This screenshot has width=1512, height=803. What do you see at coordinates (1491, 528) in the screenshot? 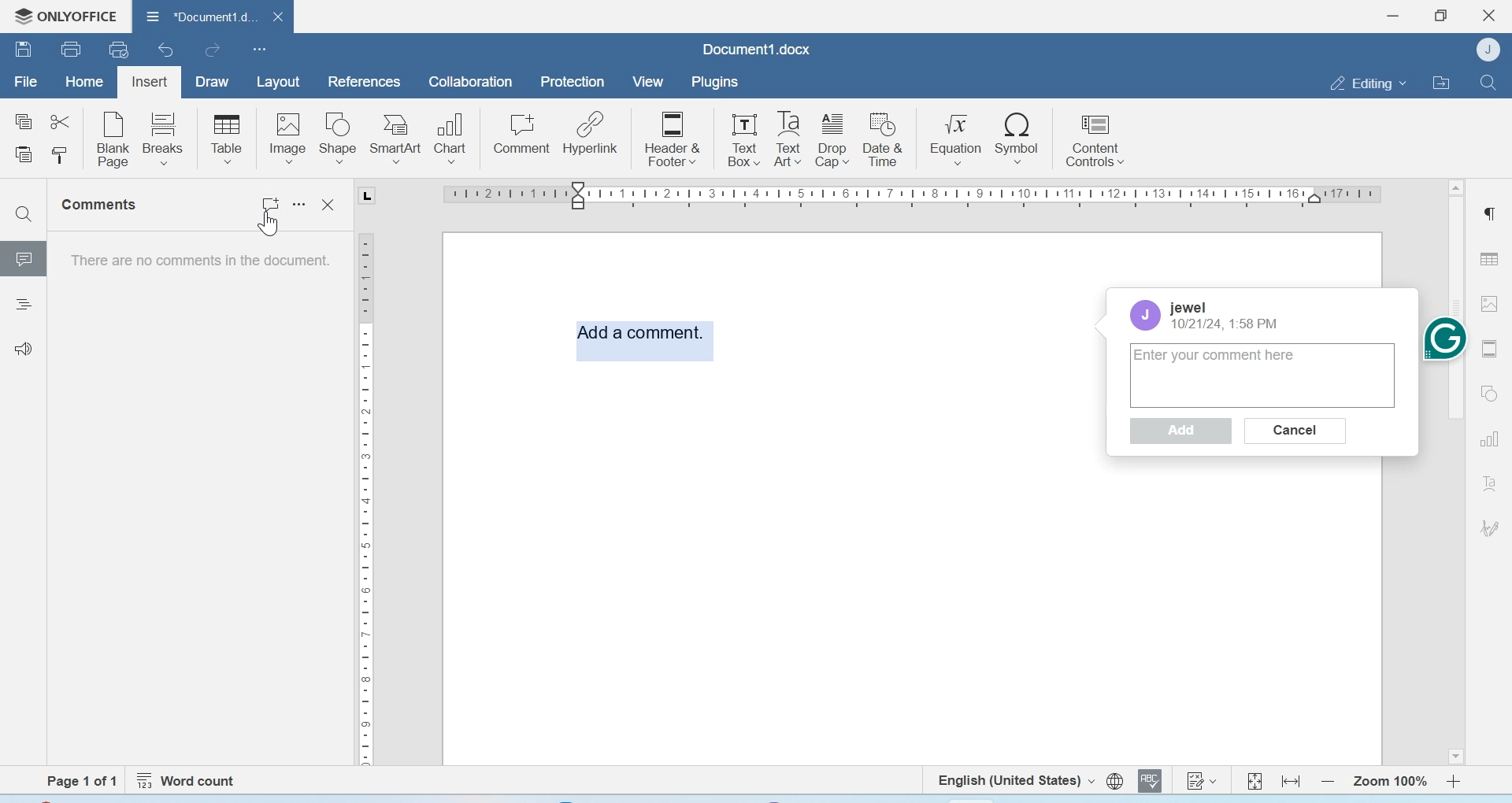
I see `Signature` at bounding box center [1491, 528].